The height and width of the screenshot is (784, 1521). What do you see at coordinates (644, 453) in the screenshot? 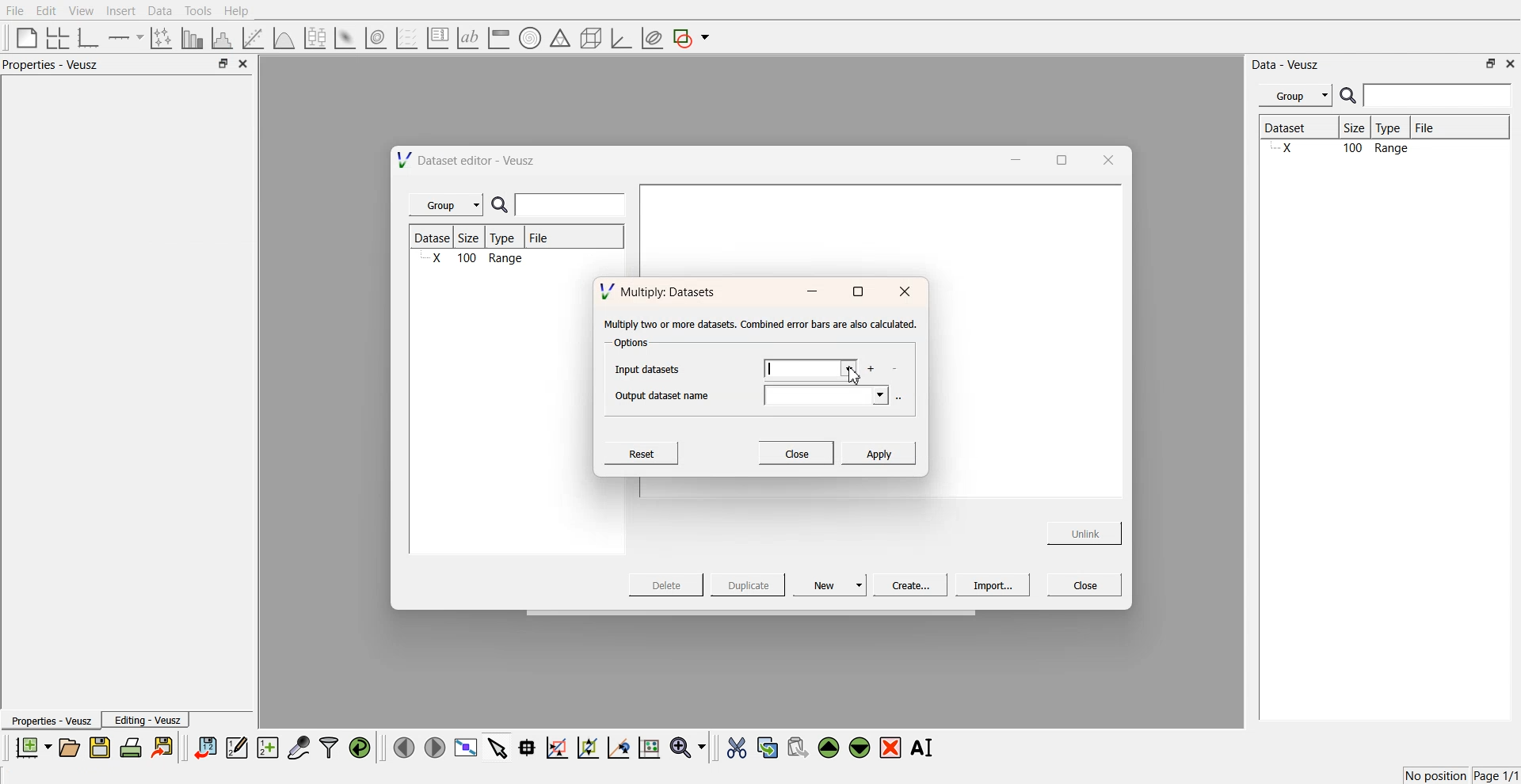
I see `Reset` at bounding box center [644, 453].